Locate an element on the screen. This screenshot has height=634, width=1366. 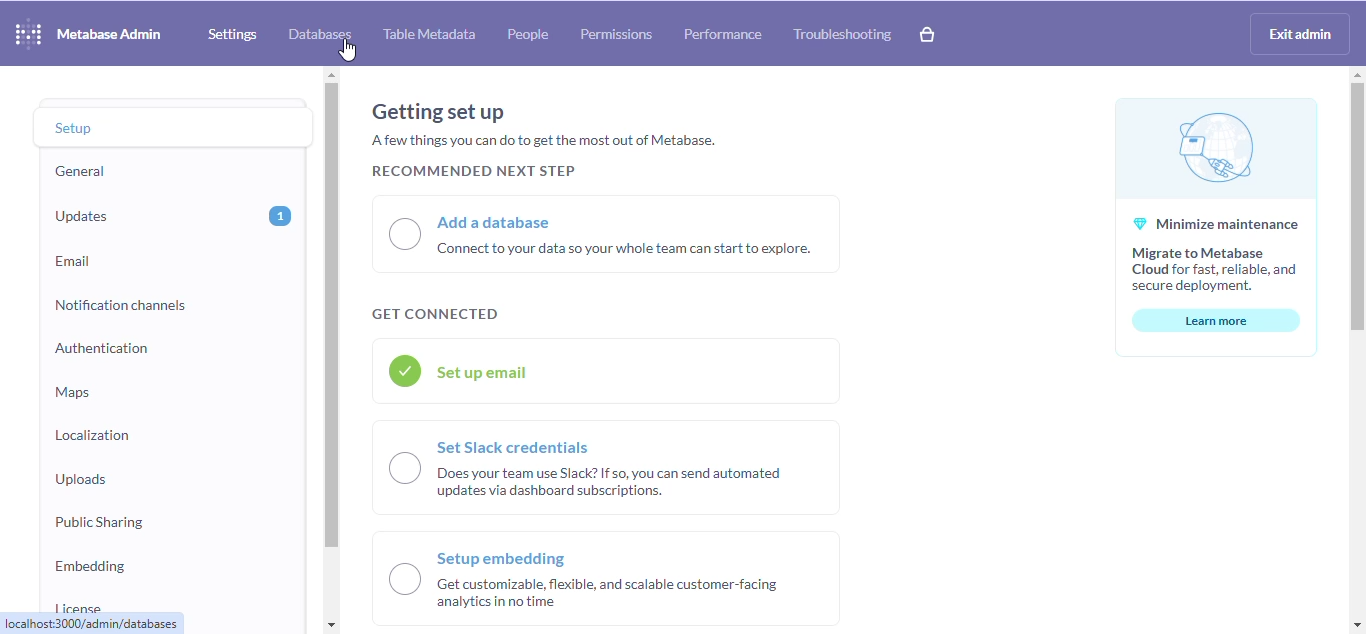
exit admin is located at coordinates (1301, 34).